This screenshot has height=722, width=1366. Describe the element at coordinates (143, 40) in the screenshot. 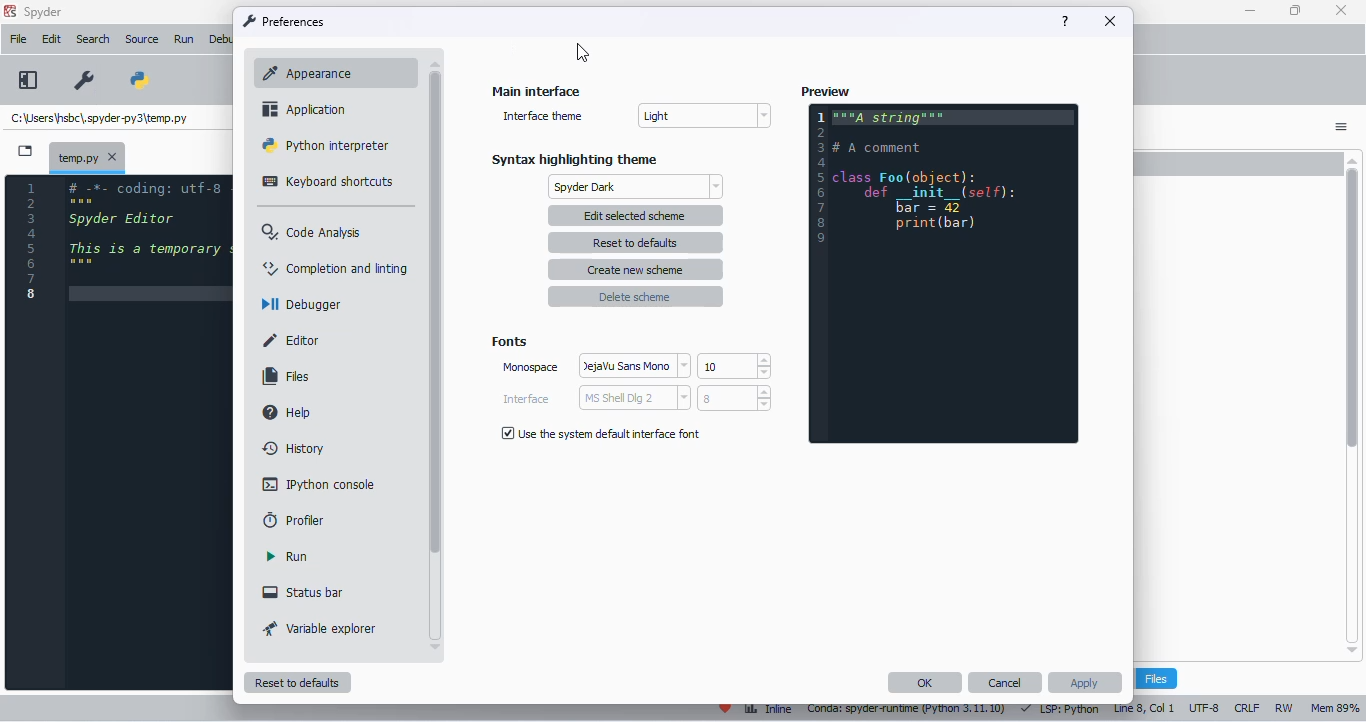

I see `source` at that location.